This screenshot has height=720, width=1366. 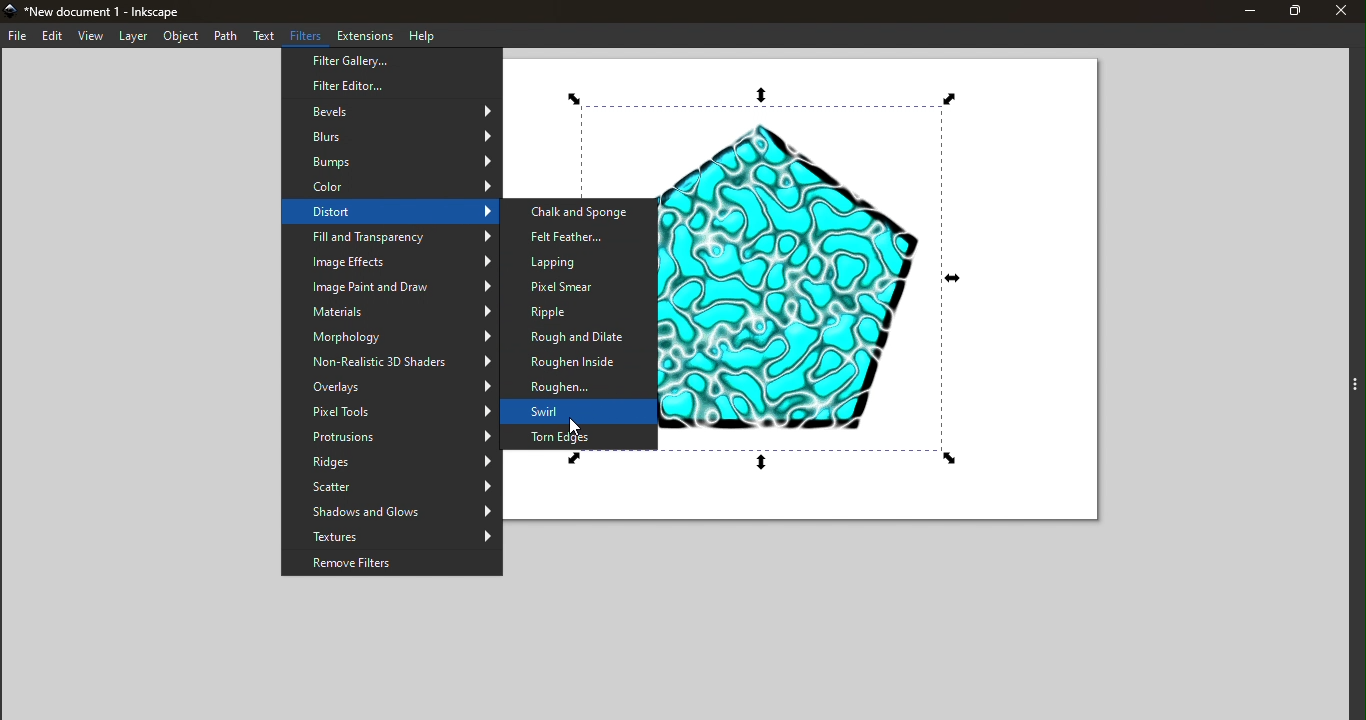 What do you see at coordinates (581, 263) in the screenshot?
I see `Lapping` at bounding box center [581, 263].